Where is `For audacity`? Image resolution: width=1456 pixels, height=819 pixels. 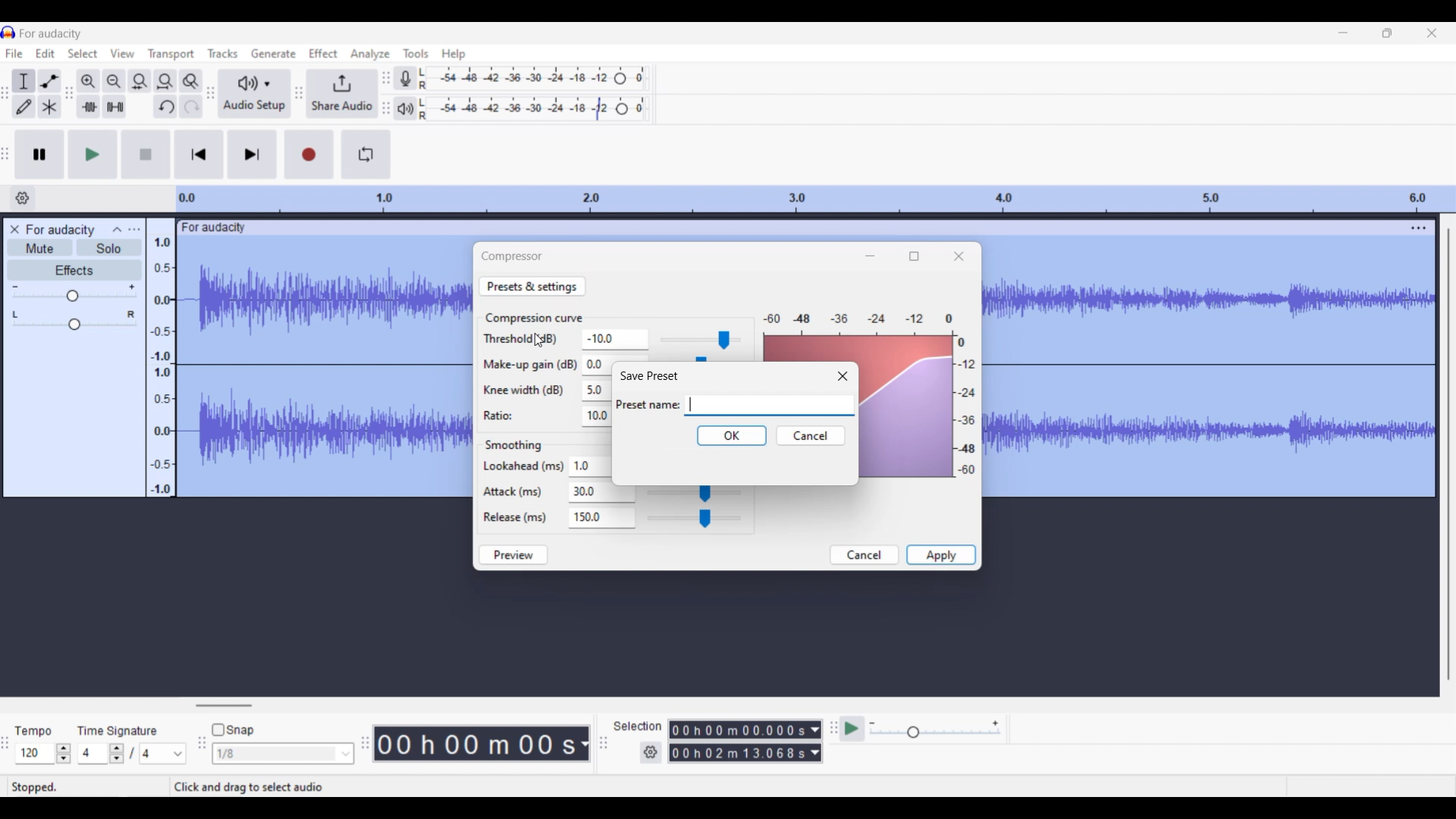
For audacity is located at coordinates (50, 34).